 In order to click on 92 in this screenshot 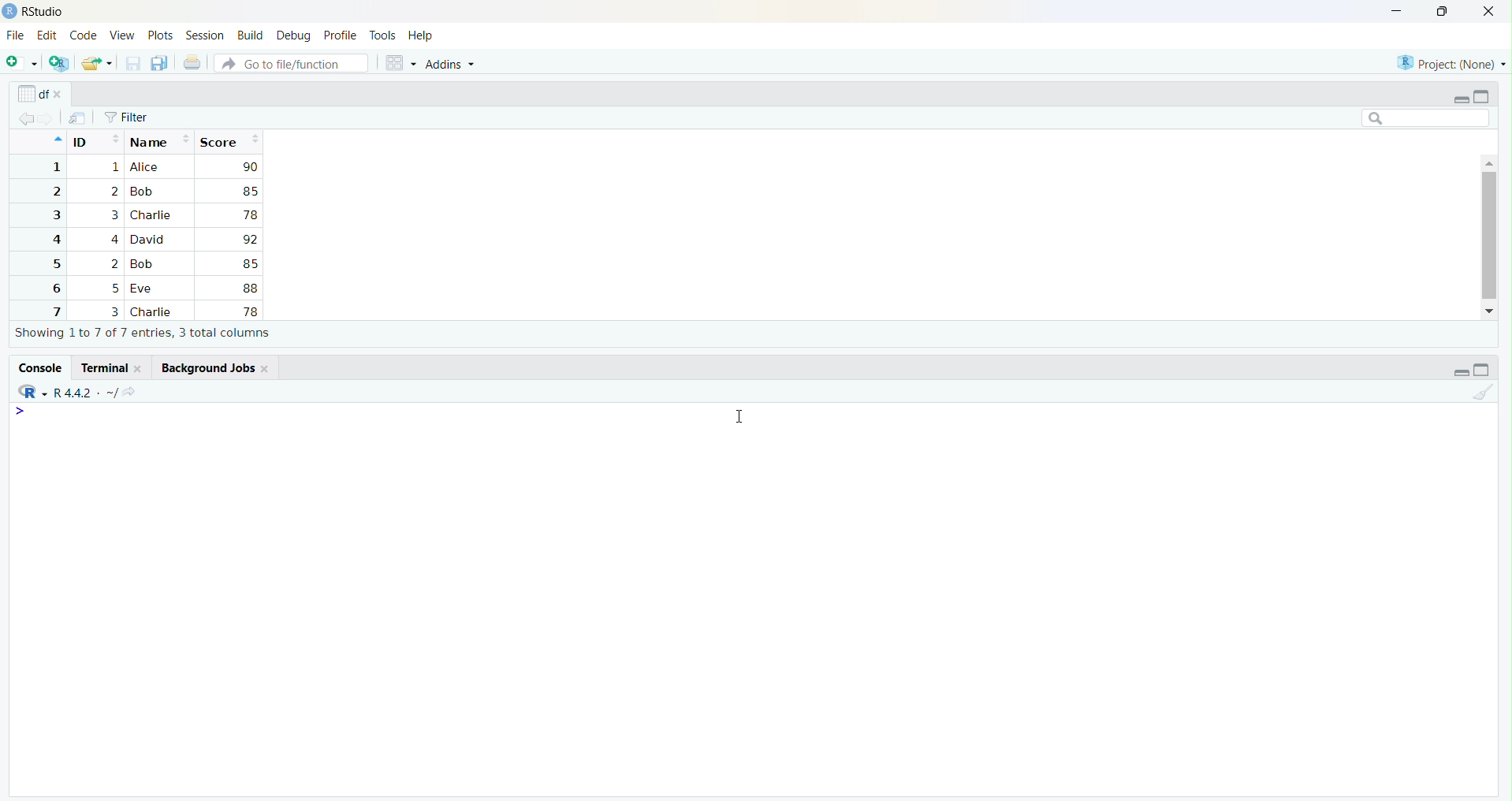, I will do `click(249, 240)`.